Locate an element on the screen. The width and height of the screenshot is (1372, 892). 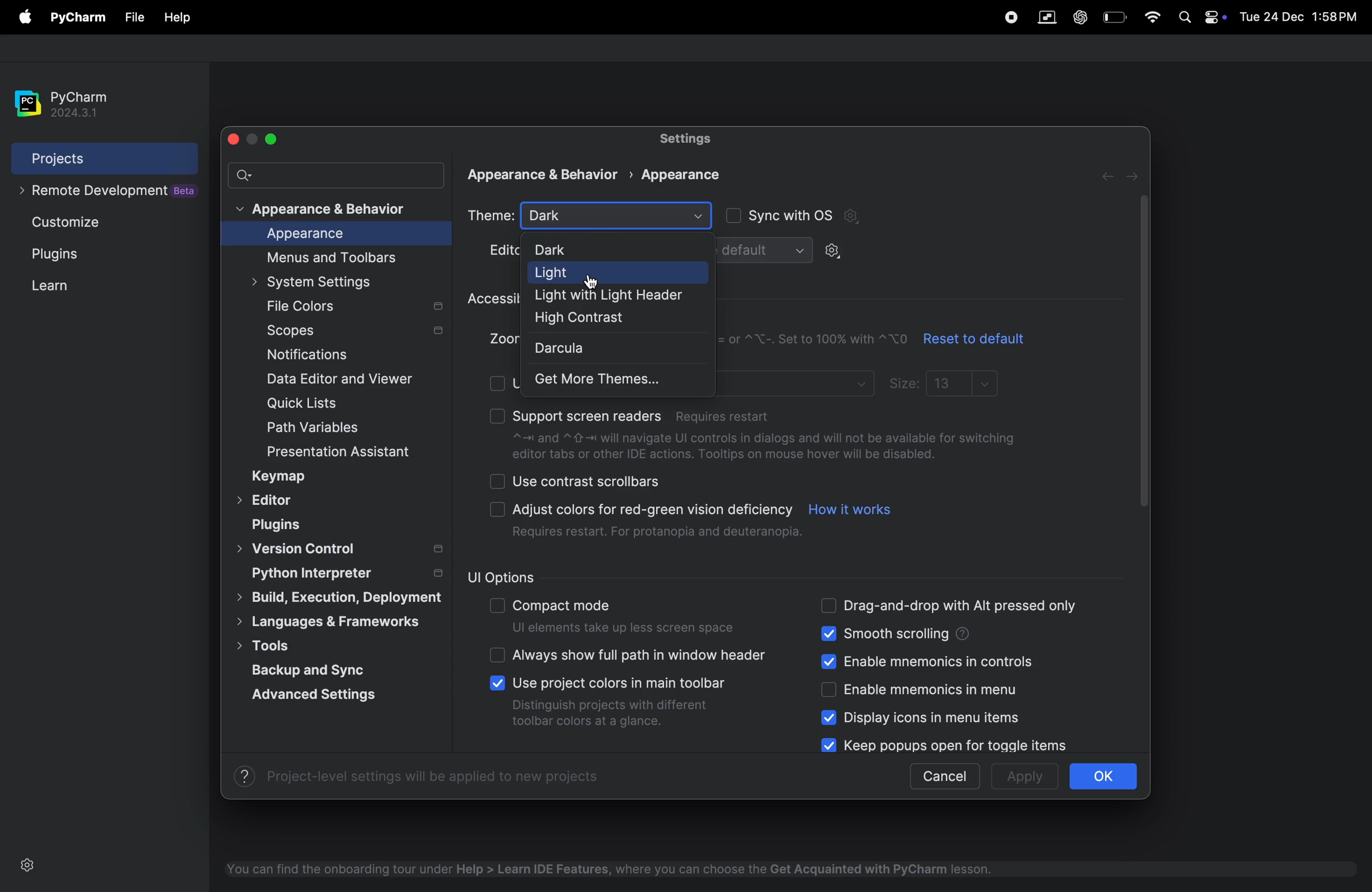
file colors is located at coordinates (350, 307).